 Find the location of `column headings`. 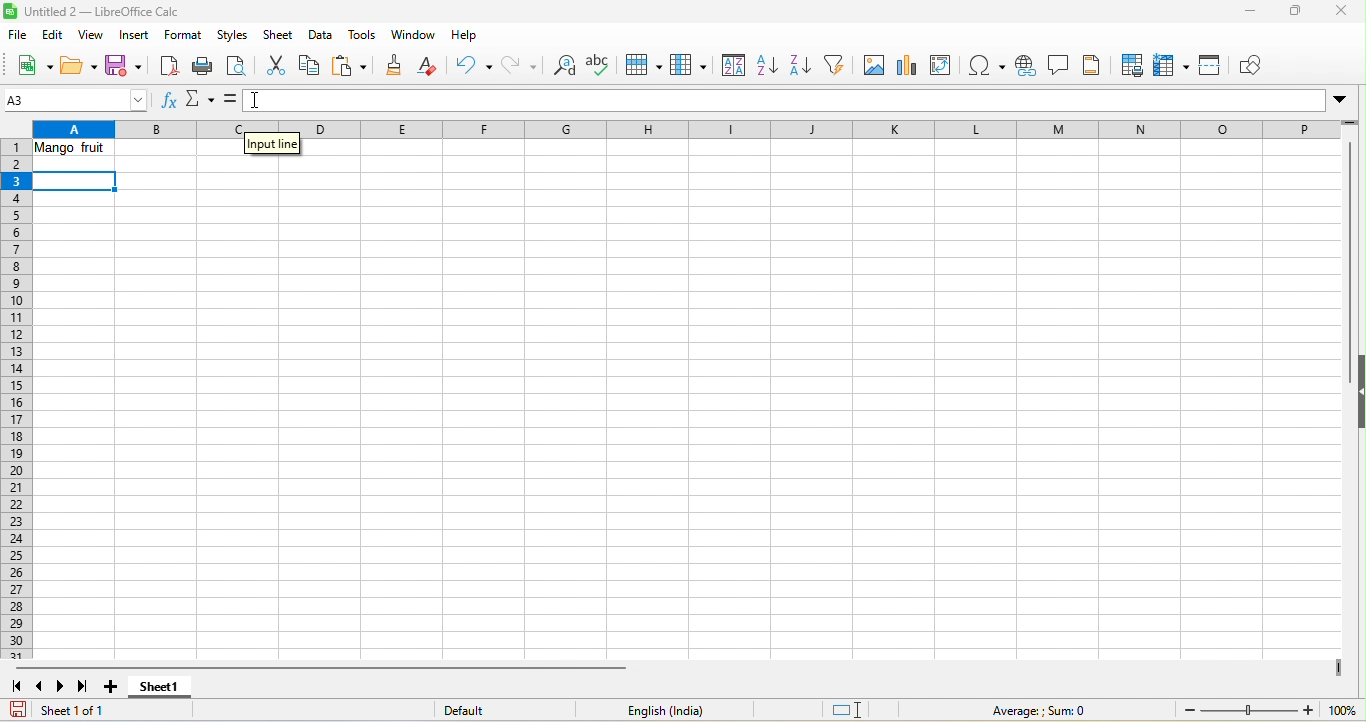

column headings is located at coordinates (695, 125).